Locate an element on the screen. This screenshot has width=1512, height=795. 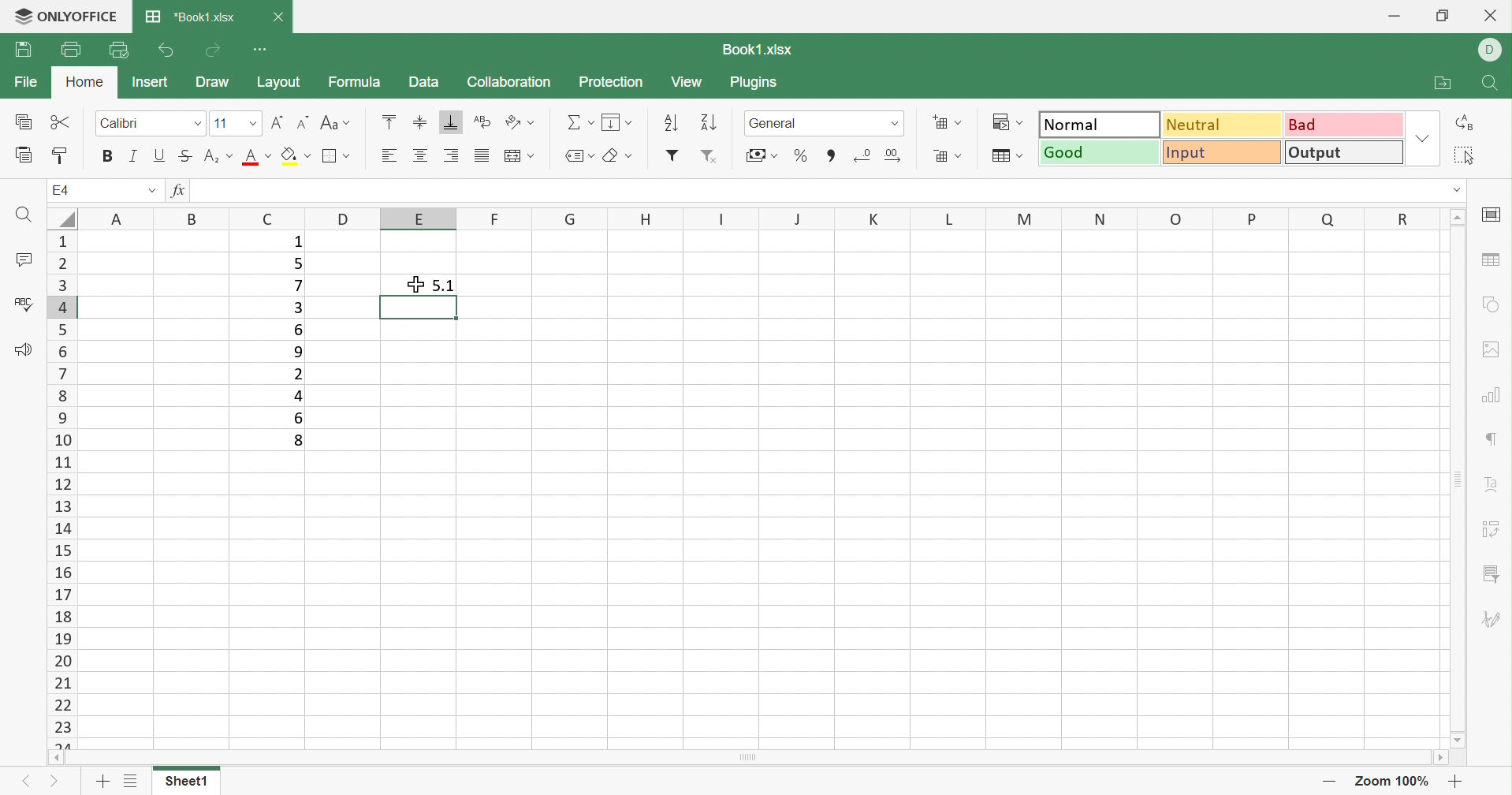
Scroll Right is located at coordinates (1439, 757).